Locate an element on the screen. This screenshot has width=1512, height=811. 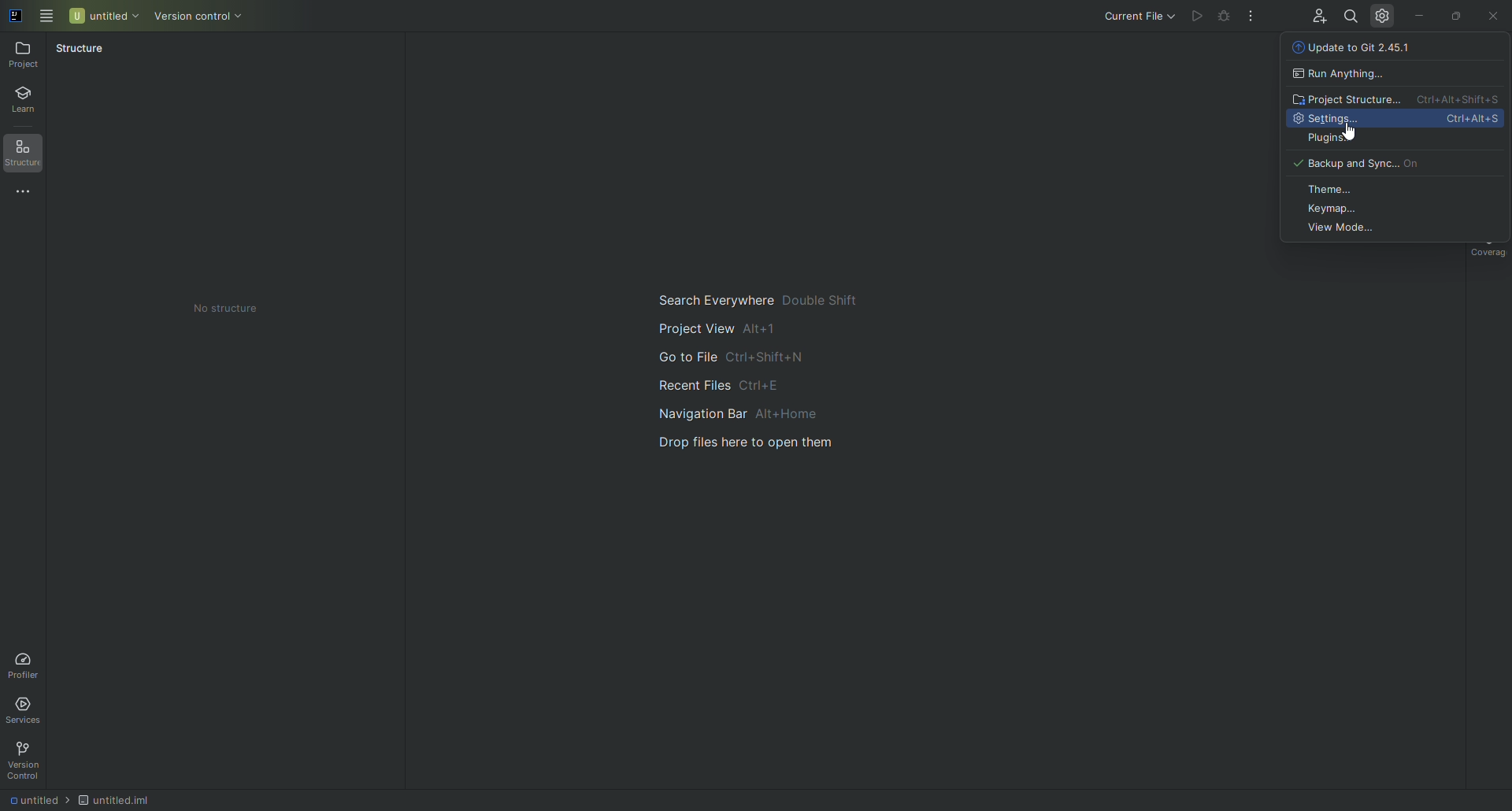
Cannot run file is located at coordinates (1196, 14).